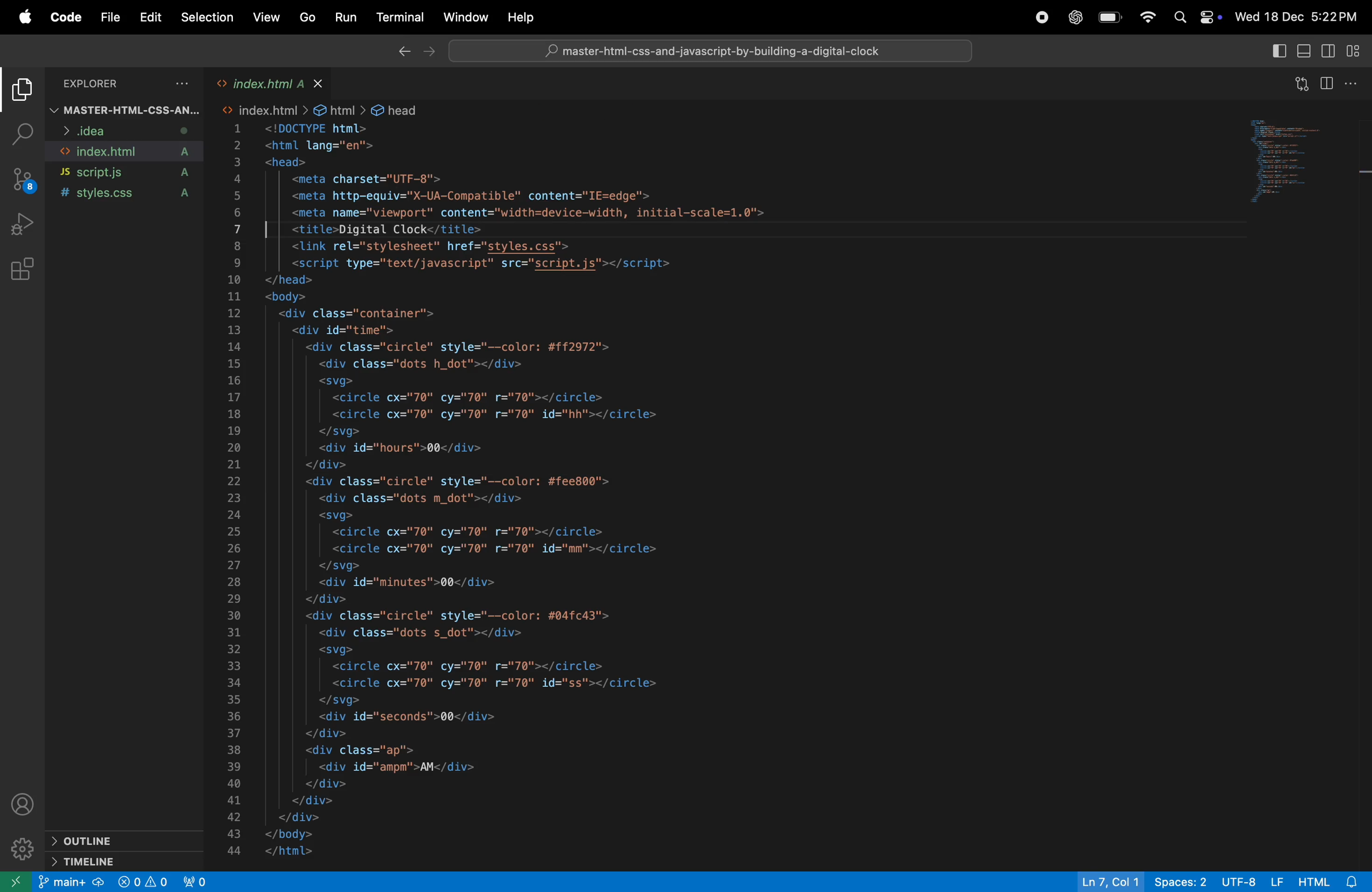  I want to click on idea, so click(119, 133).